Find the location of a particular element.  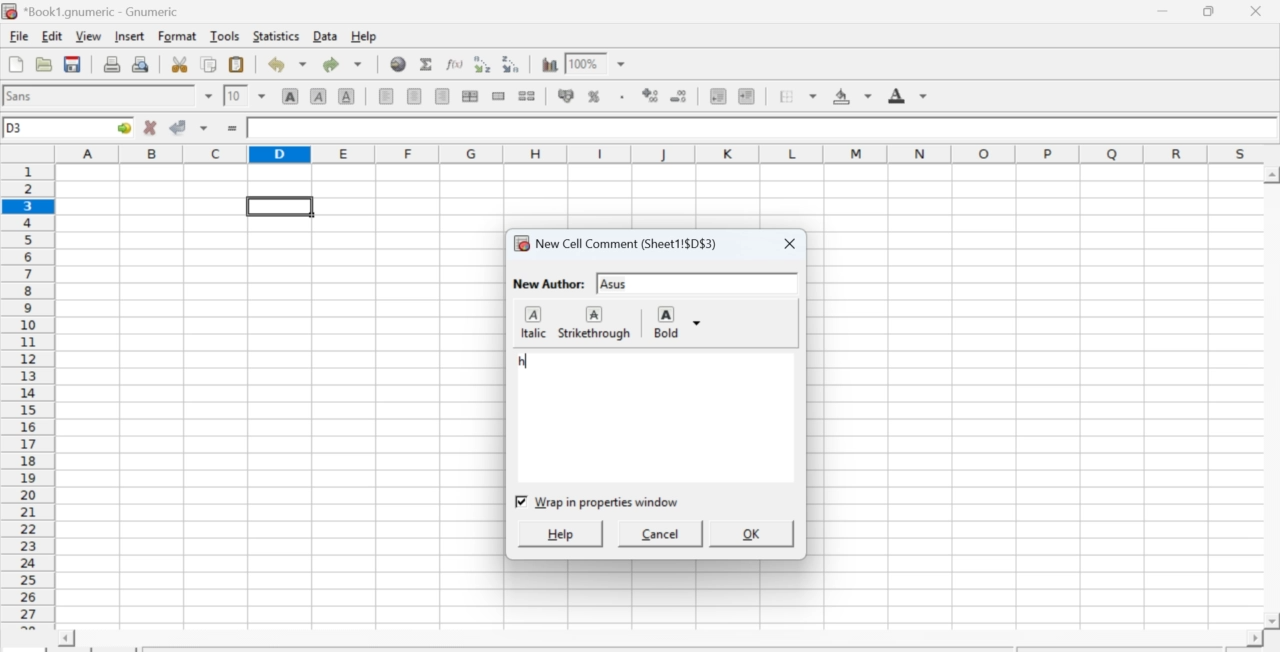

italic is located at coordinates (531, 323).